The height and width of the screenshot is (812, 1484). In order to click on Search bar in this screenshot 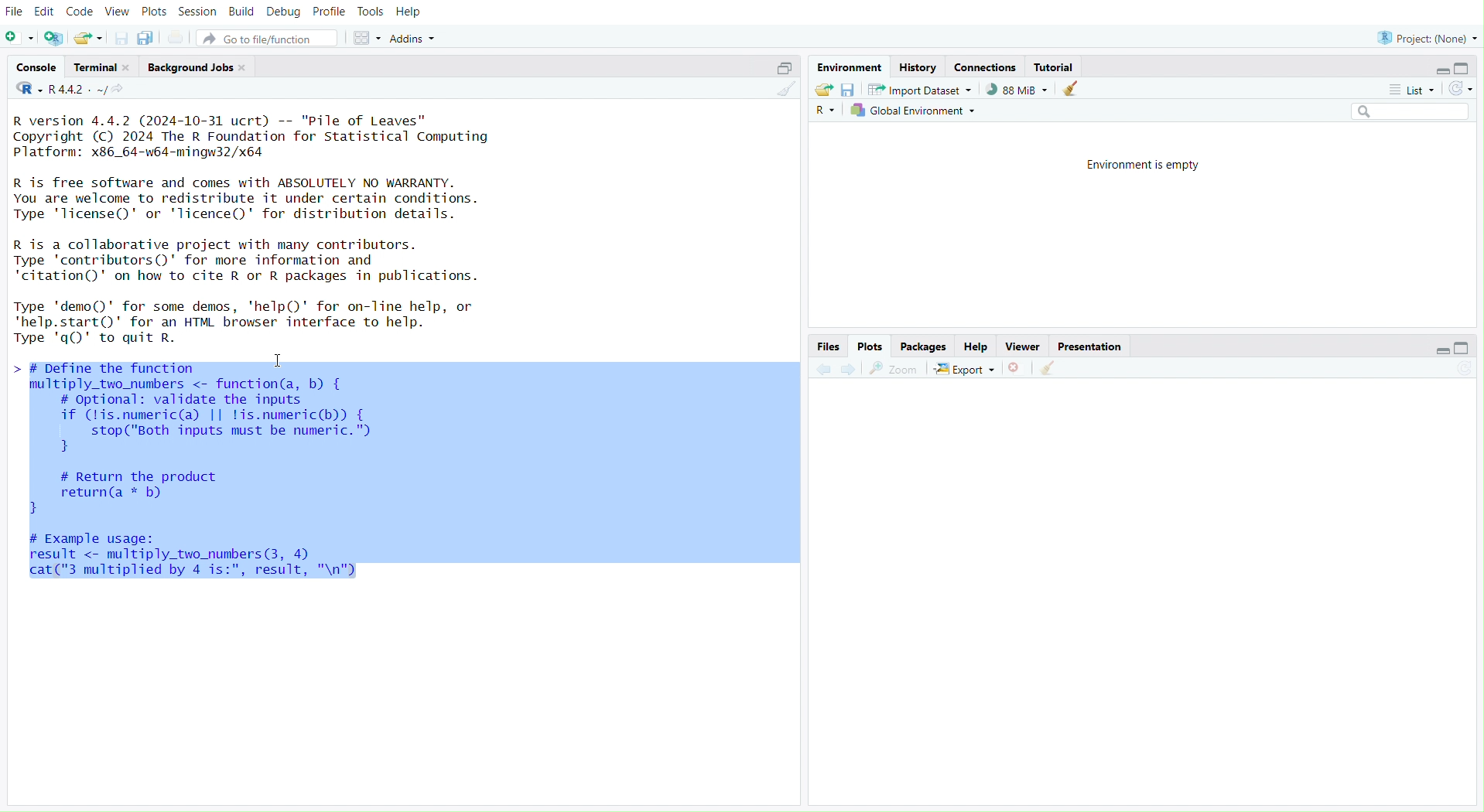, I will do `click(1413, 113)`.